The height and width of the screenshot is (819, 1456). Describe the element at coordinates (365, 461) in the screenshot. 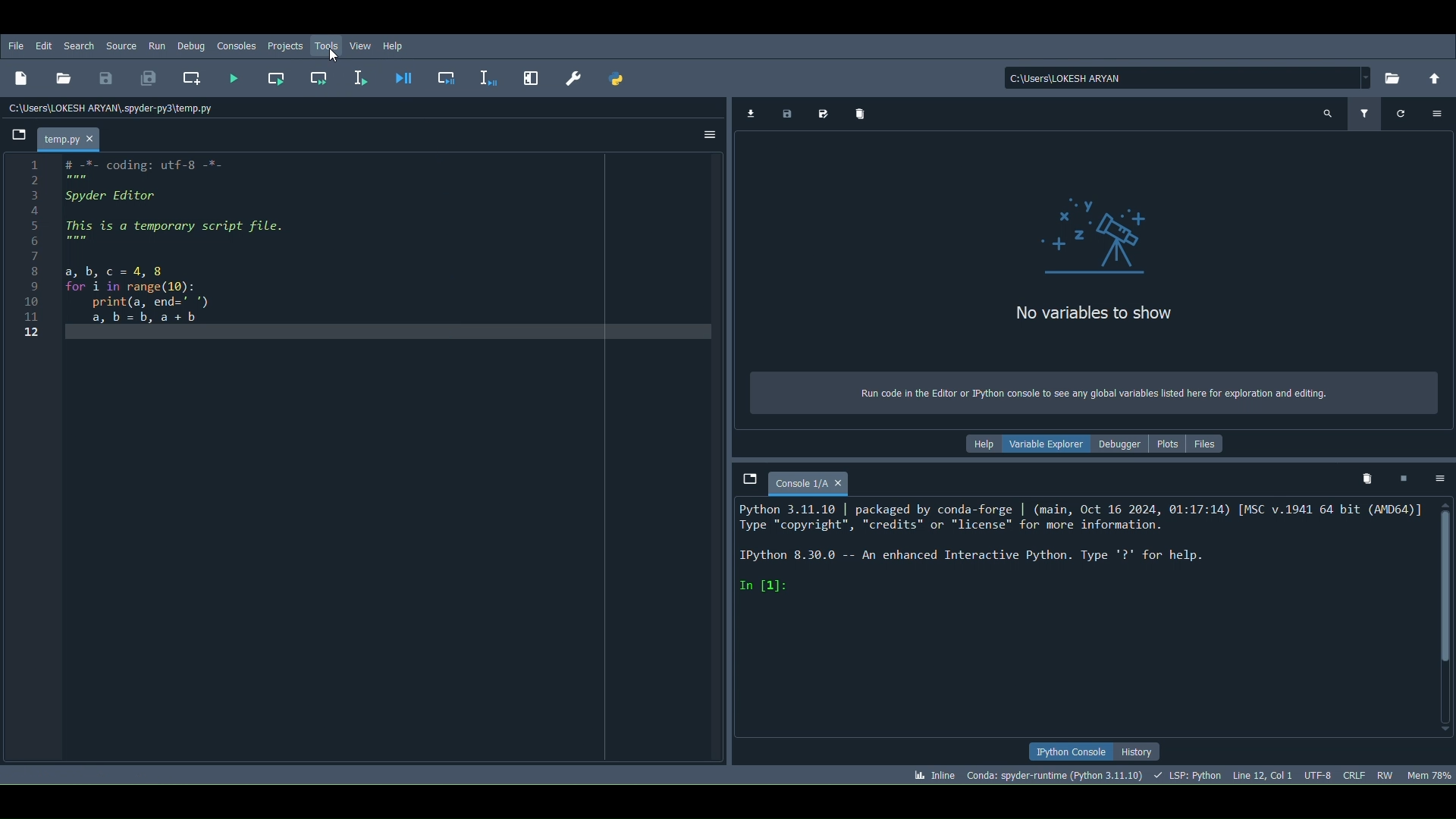

I see `Code editor` at that location.